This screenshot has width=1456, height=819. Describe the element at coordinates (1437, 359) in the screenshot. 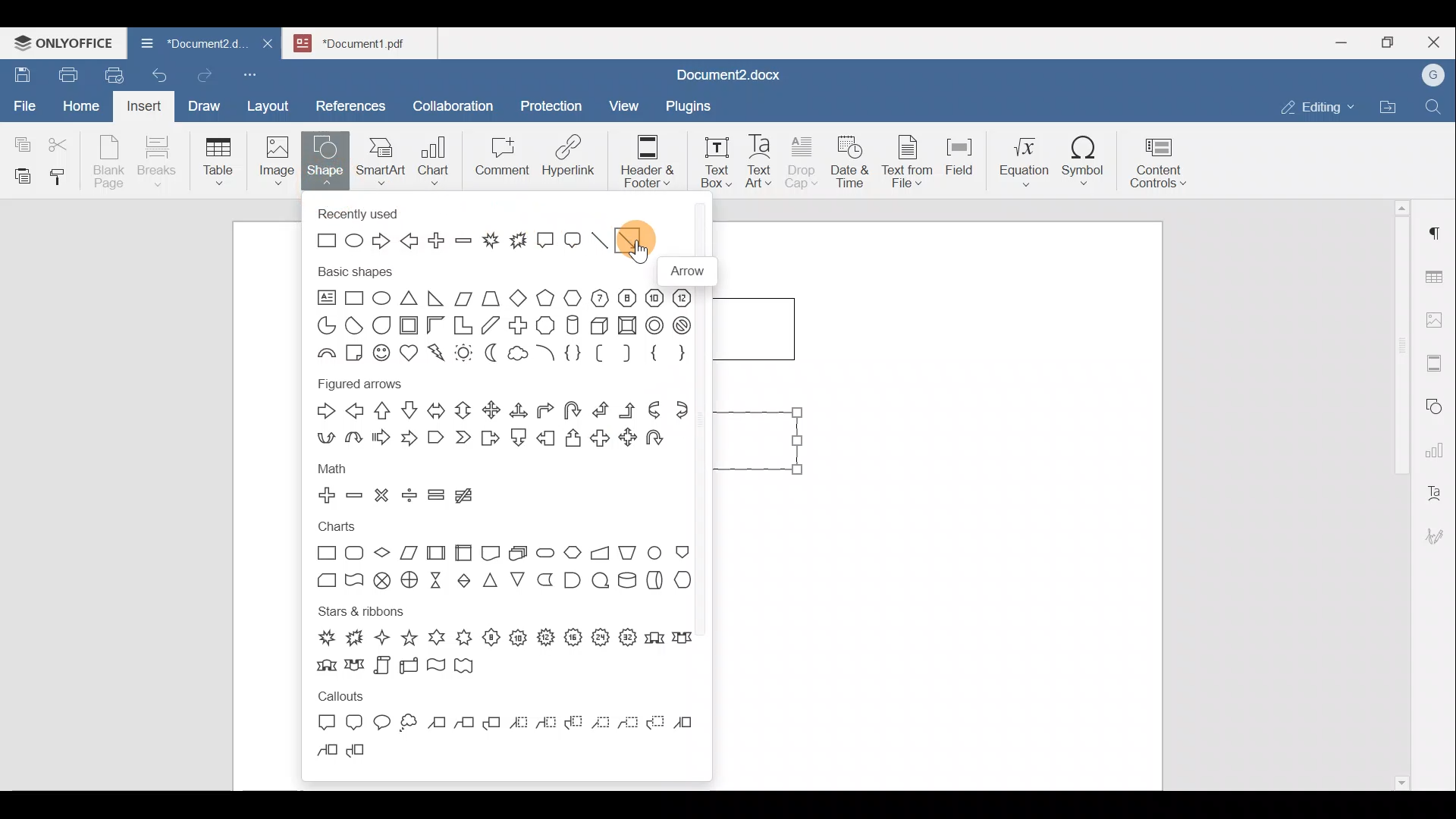

I see `Headers & footers` at that location.